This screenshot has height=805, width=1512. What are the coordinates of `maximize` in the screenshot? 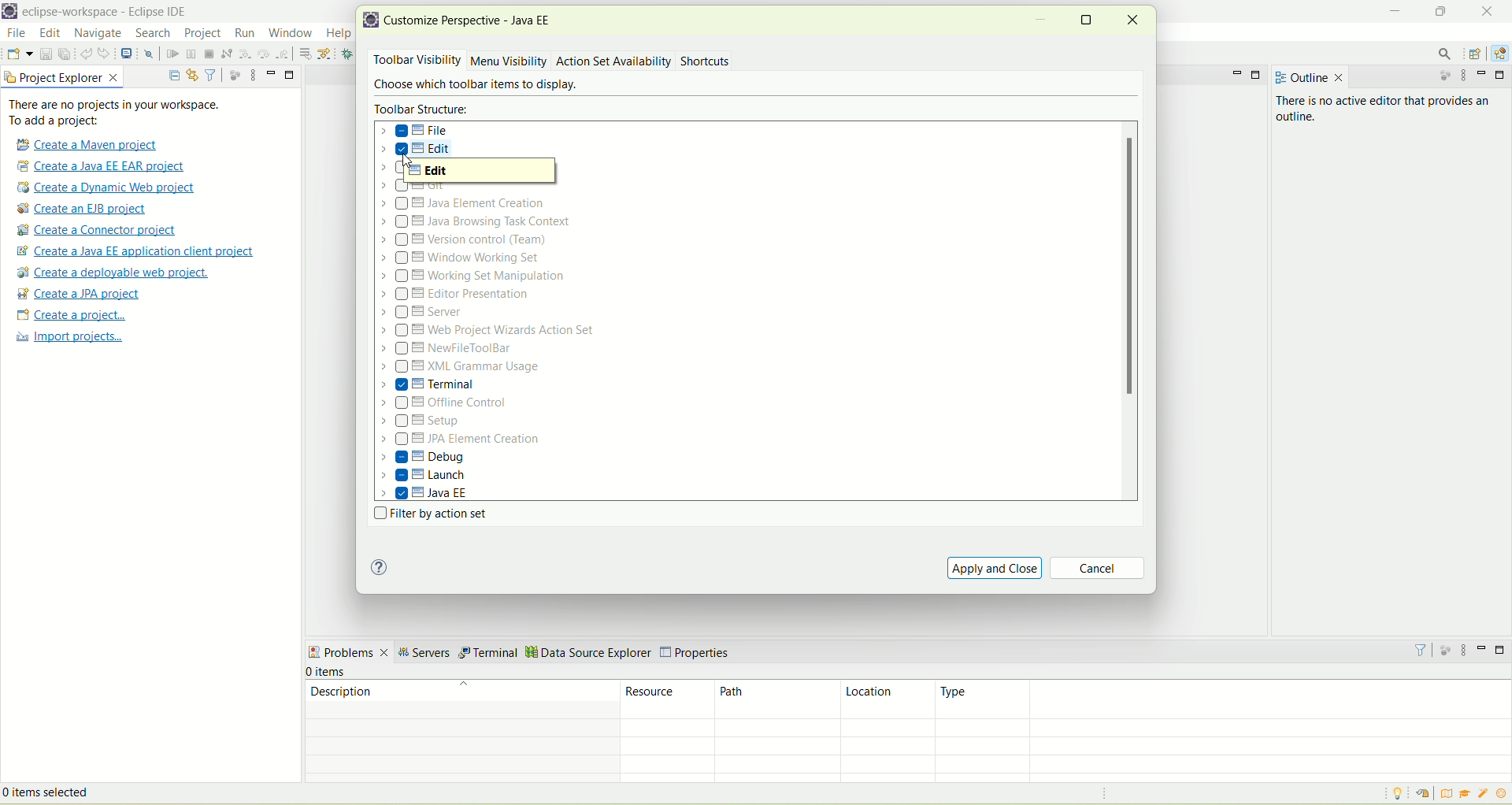 It's located at (1501, 650).